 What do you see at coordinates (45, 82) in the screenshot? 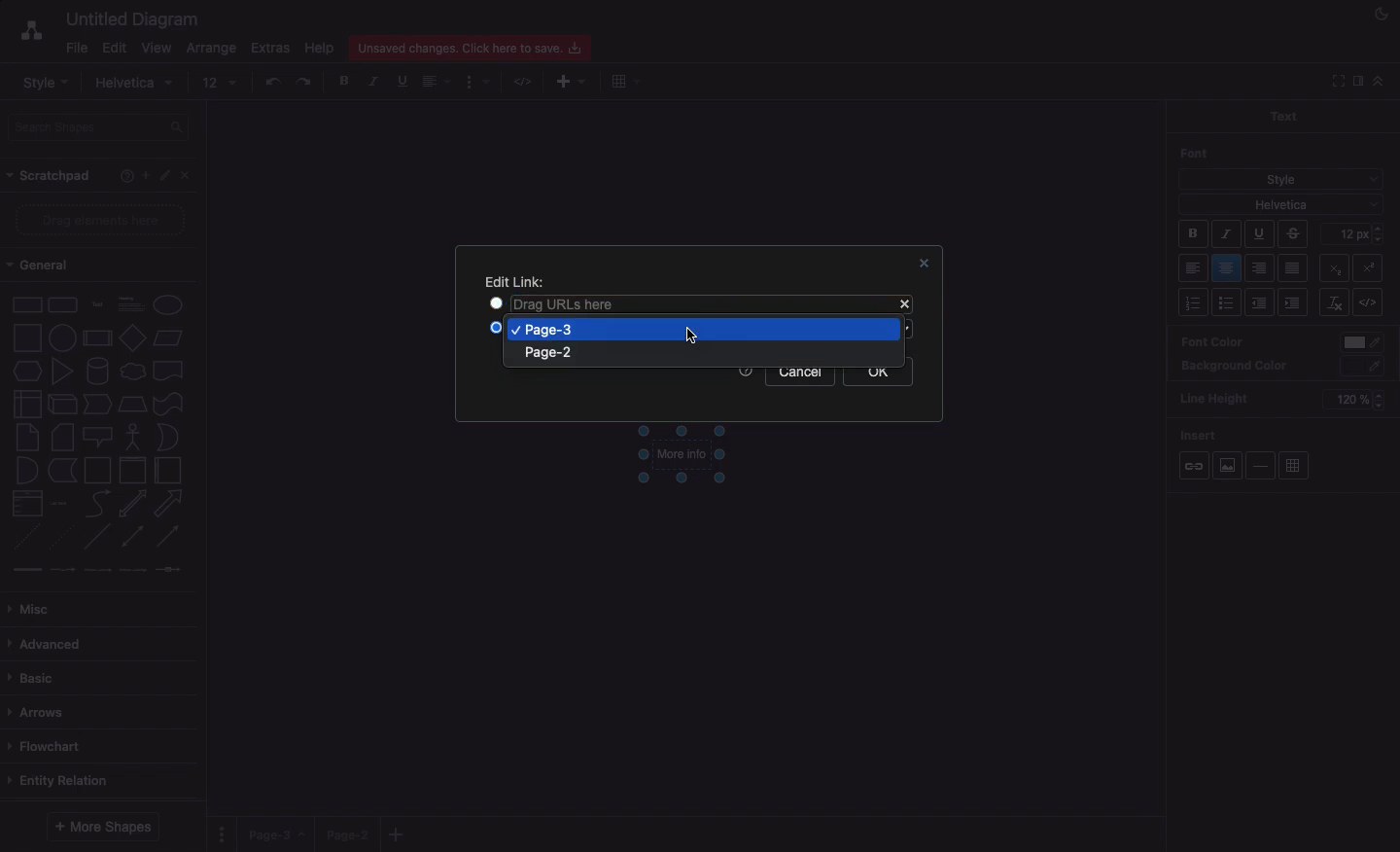
I see `Style` at bounding box center [45, 82].